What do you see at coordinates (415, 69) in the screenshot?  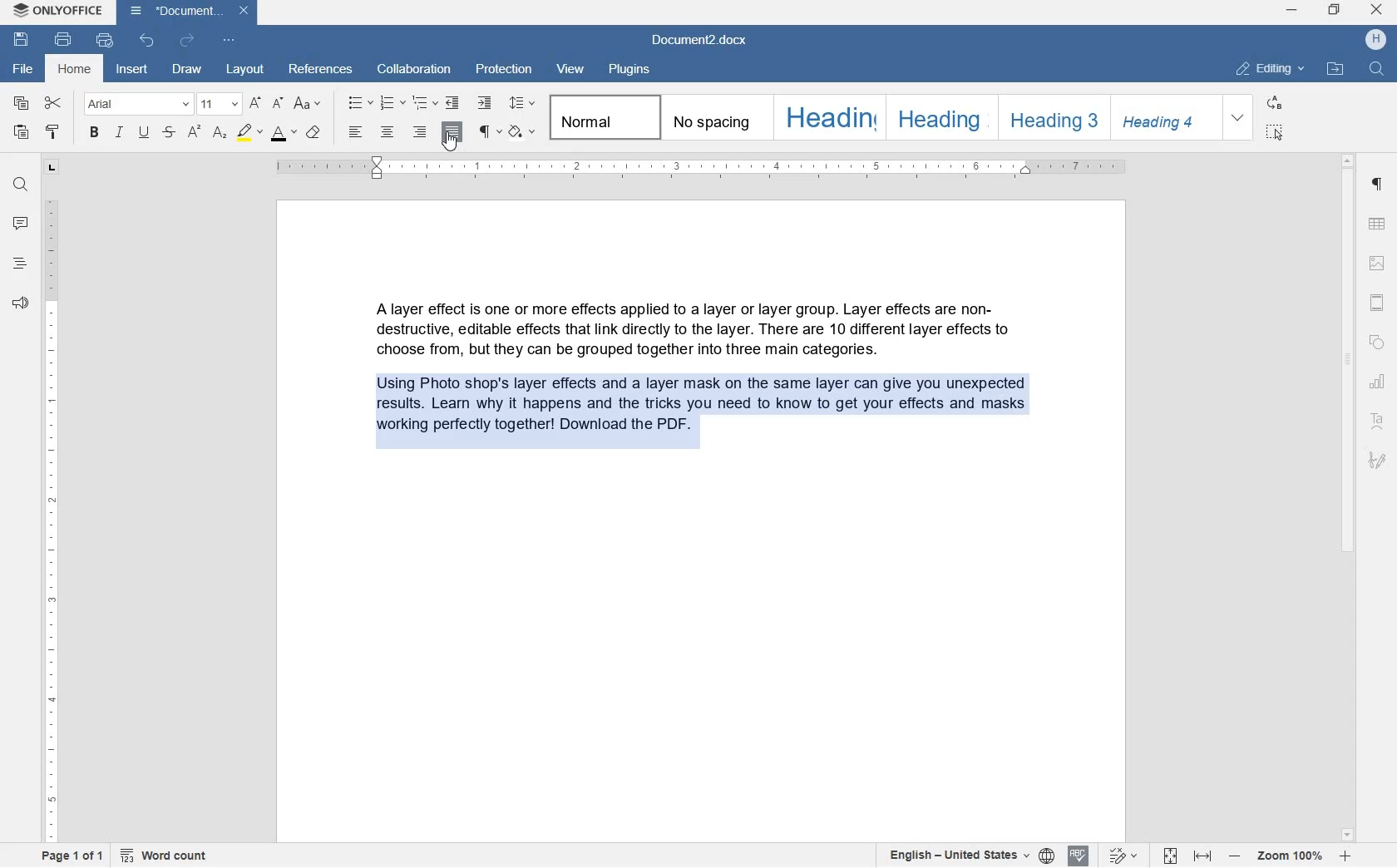 I see `COLLABORATION` at bounding box center [415, 69].